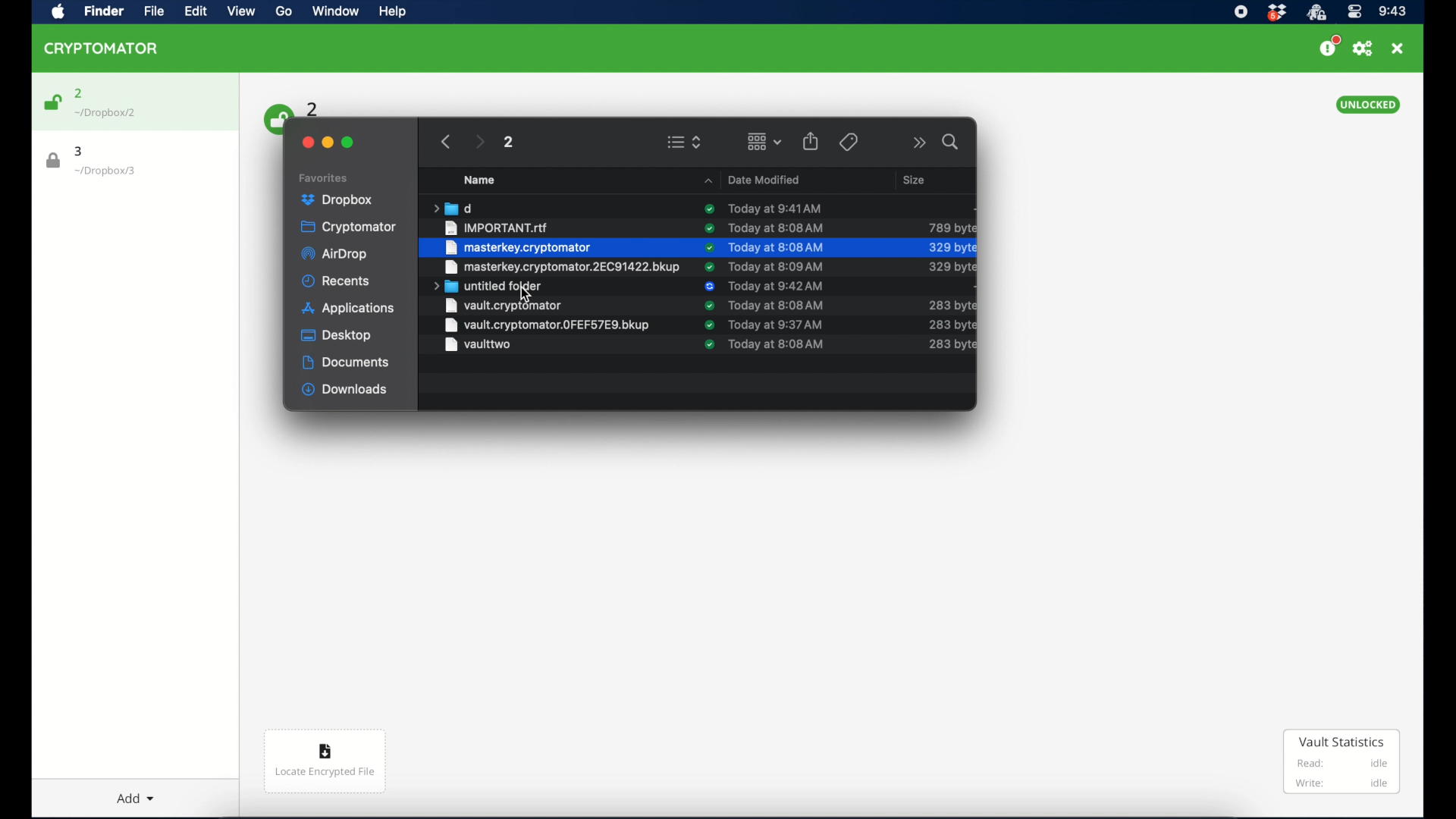  Describe the element at coordinates (1363, 49) in the screenshot. I see `preferences` at that location.